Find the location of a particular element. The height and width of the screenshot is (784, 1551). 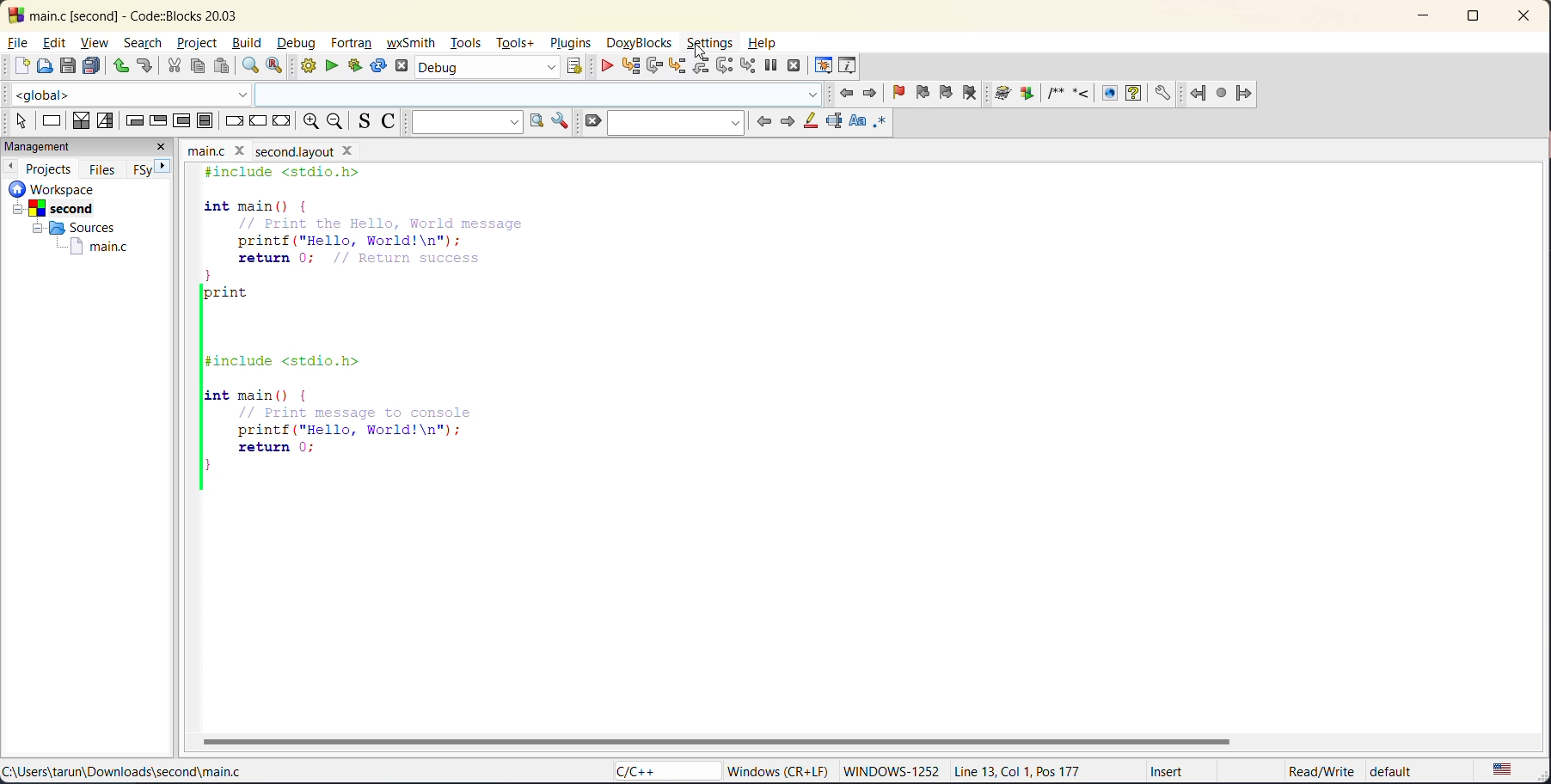

exit condition loop is located at coordinates (161, 119).